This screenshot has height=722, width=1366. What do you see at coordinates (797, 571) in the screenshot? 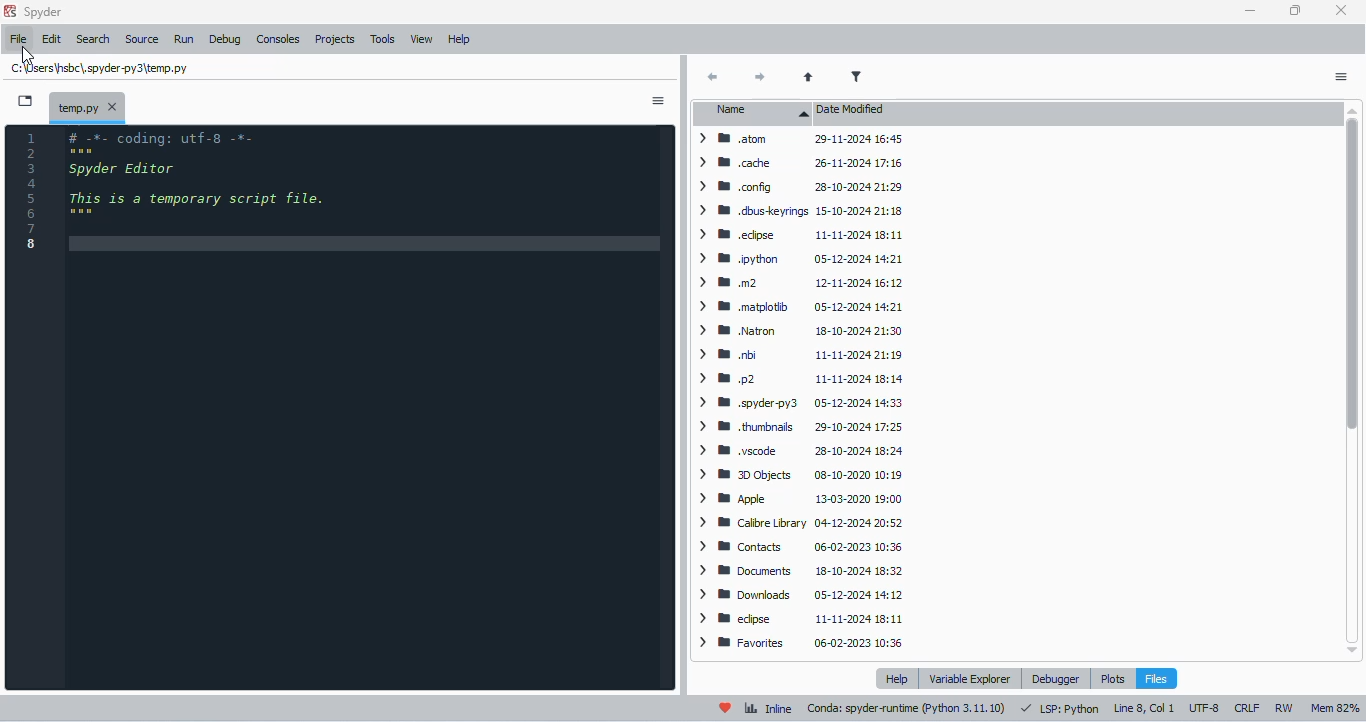
I see `> Documents 18-10-2024 18:32` at bounding box center [797, 571].